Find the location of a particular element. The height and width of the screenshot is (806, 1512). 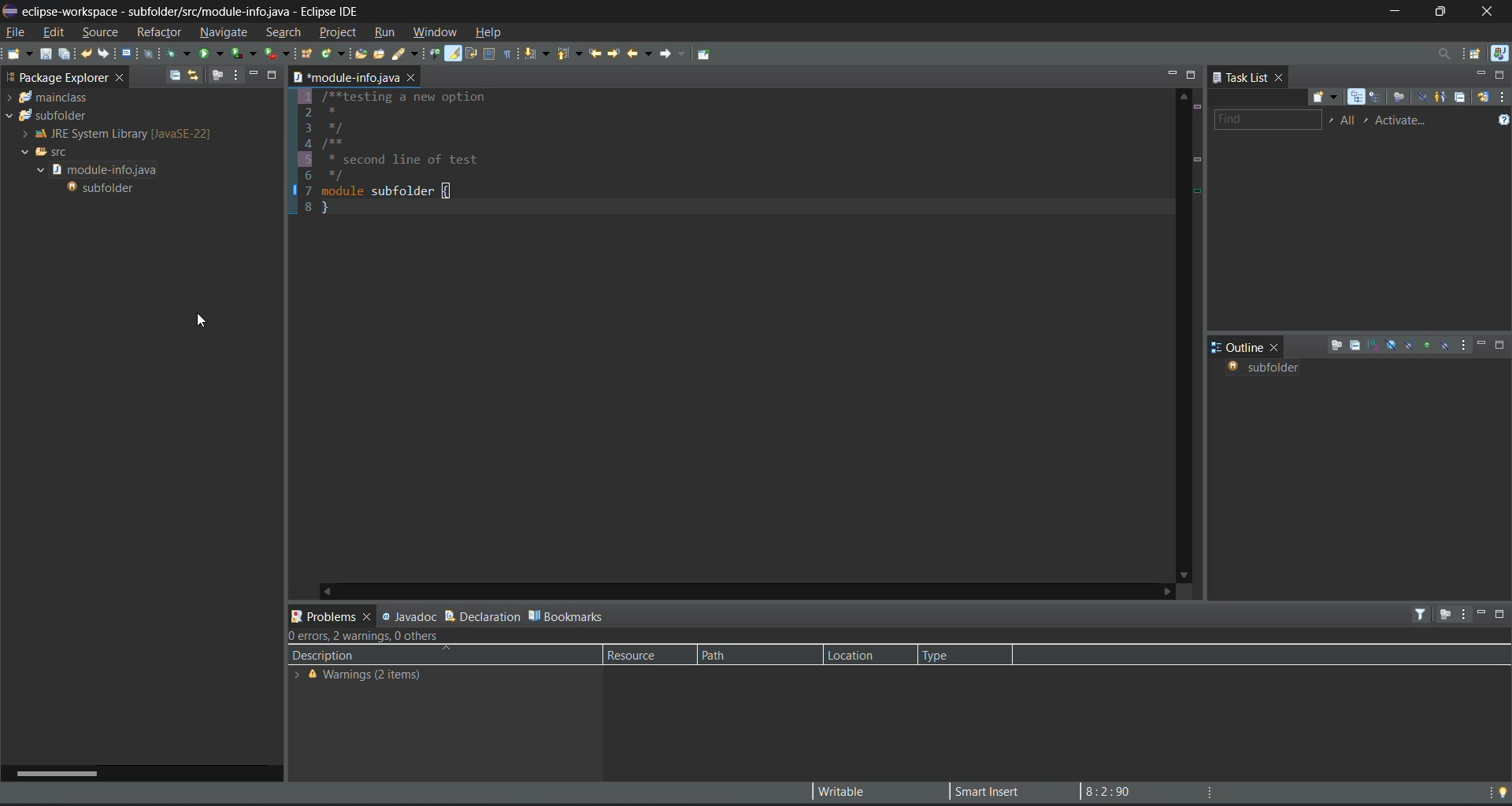

refractor is located at coordinates (159, 33).